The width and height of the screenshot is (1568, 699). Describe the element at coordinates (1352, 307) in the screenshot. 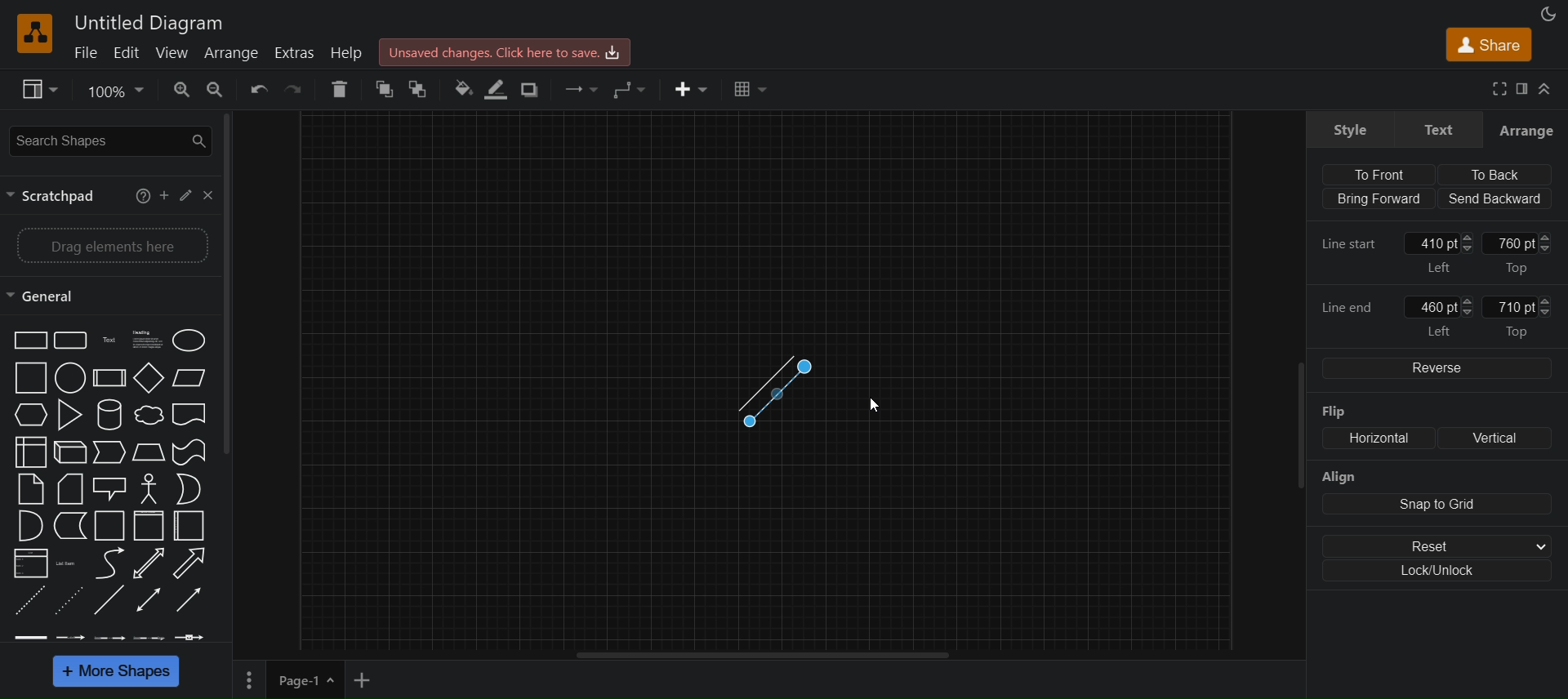

I see `line end` at that location.